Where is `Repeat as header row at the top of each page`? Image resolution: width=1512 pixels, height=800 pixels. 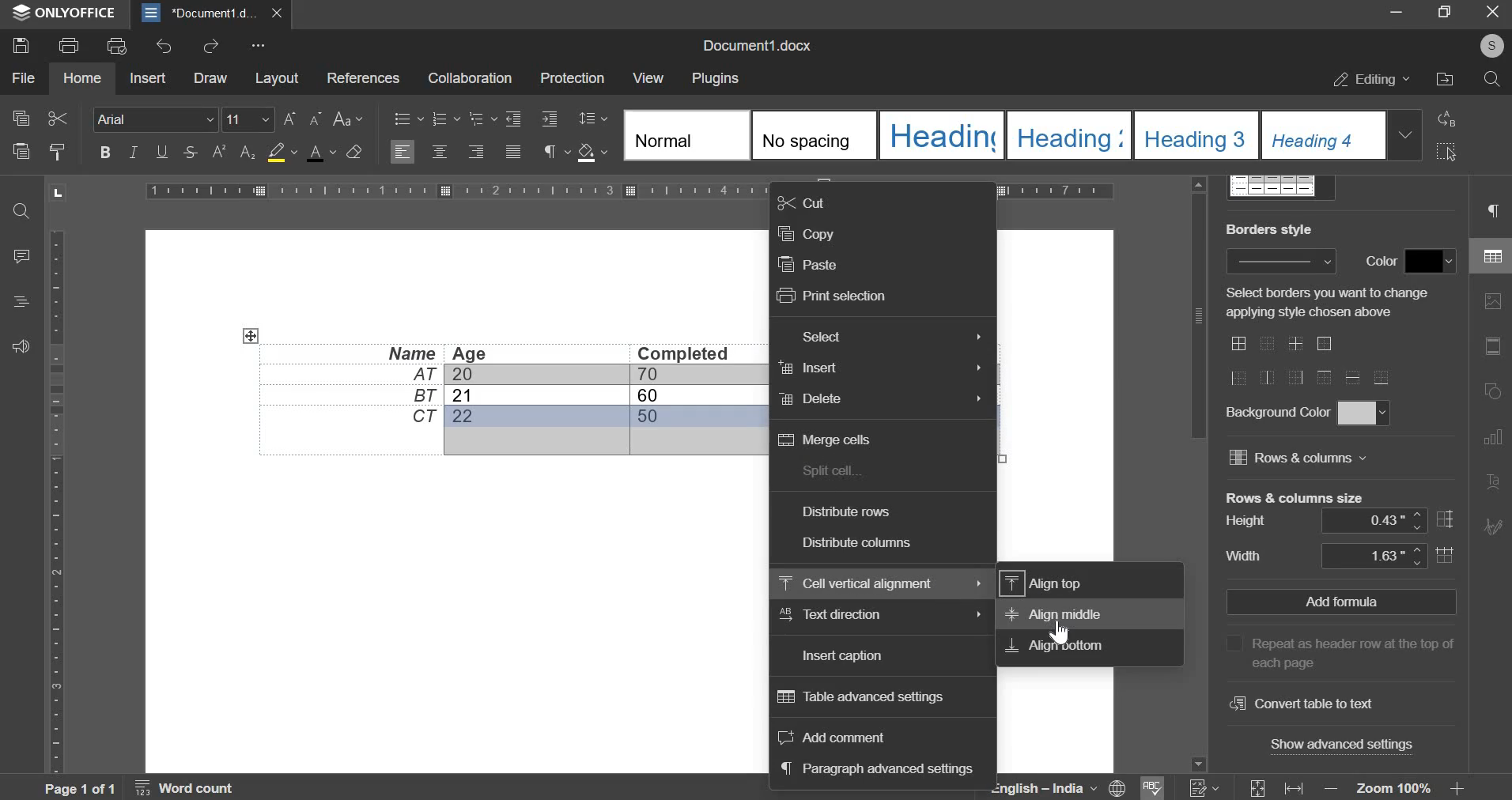
Repeat as header row at the top of each page is located at coordinates (1351, 653).